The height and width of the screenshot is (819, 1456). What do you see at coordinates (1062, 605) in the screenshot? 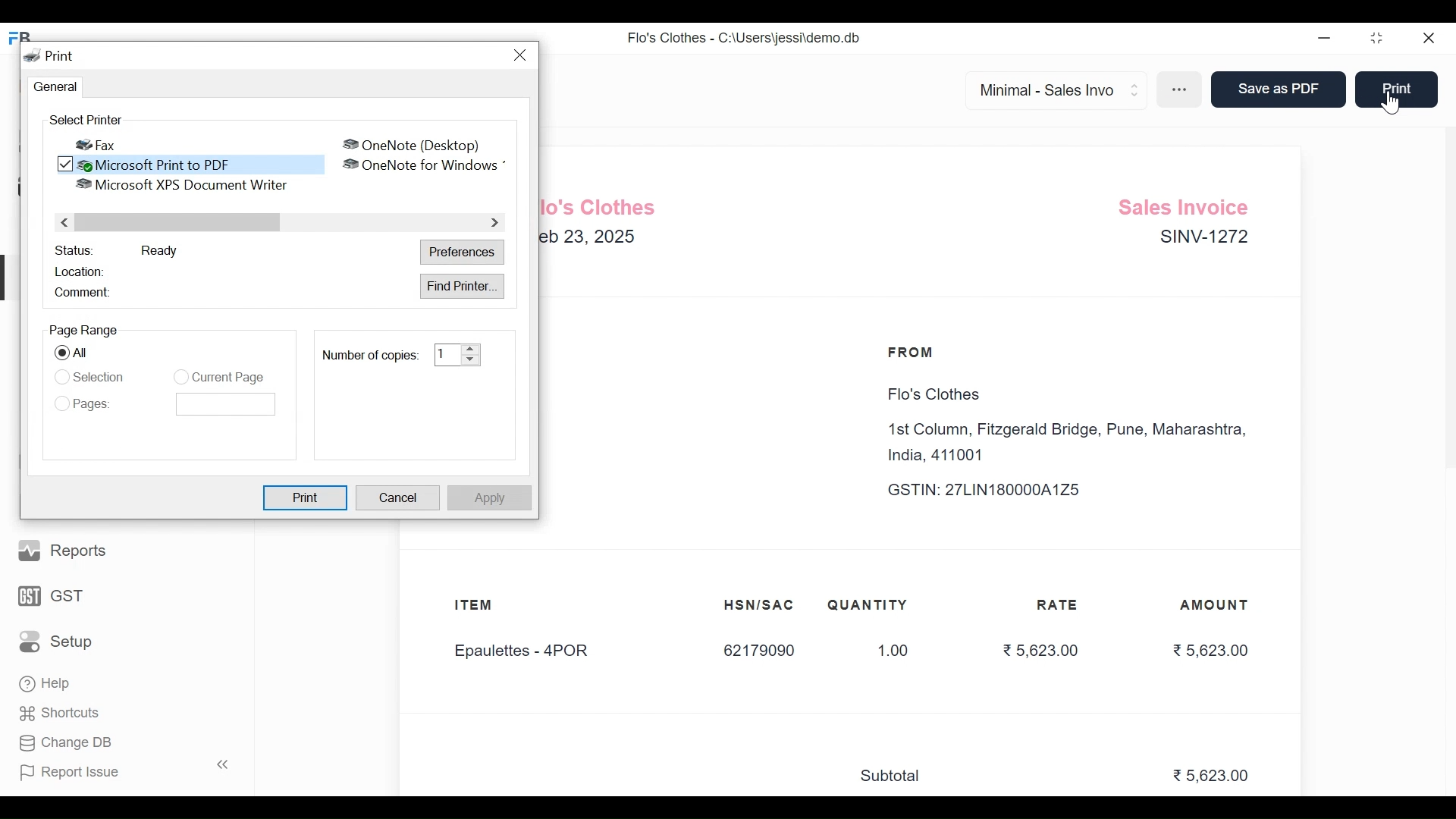
I see `RATE` at bounding box center [1062, 605].